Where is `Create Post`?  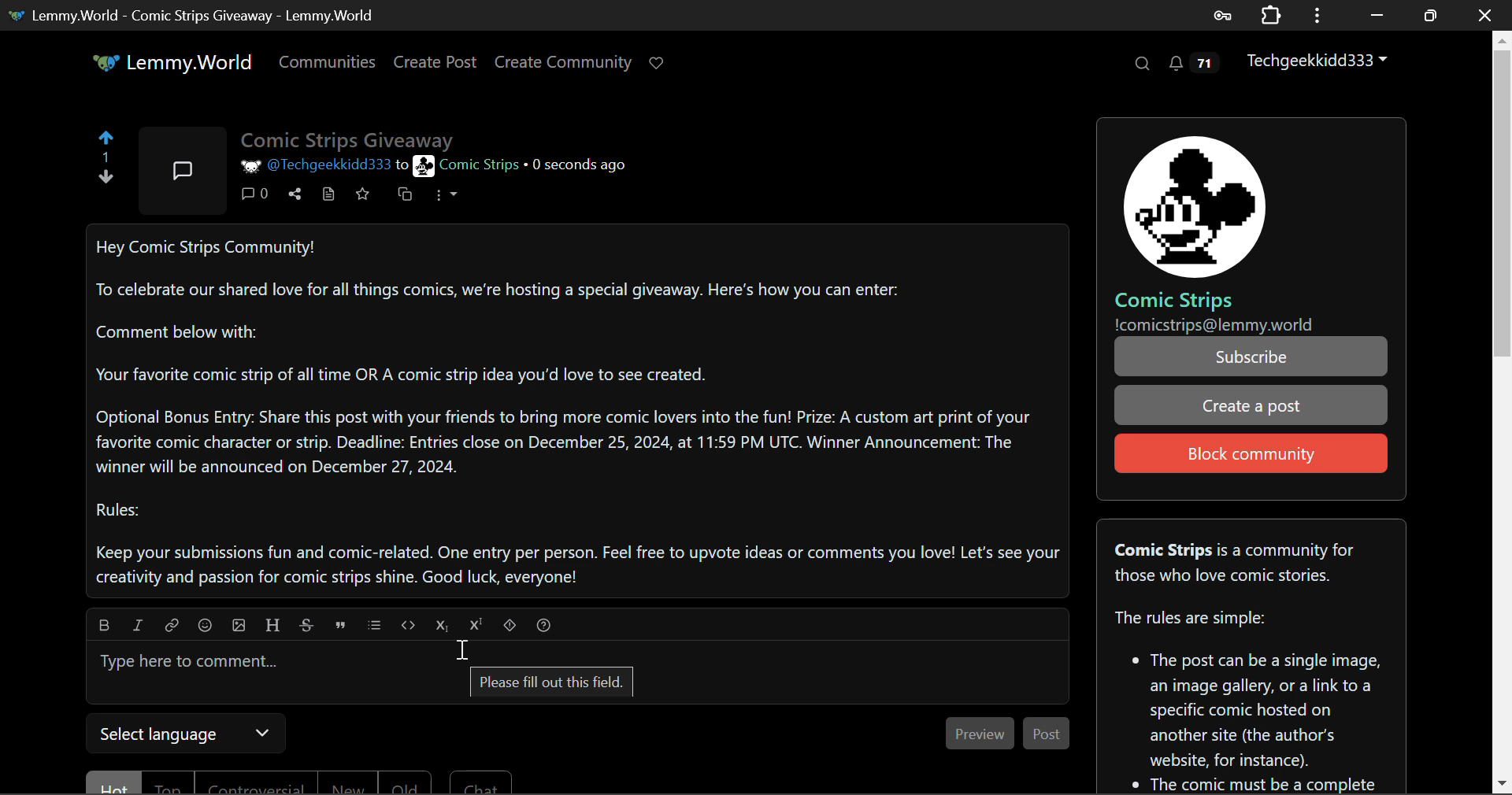 Create Post is located at coordinates (434, 63).